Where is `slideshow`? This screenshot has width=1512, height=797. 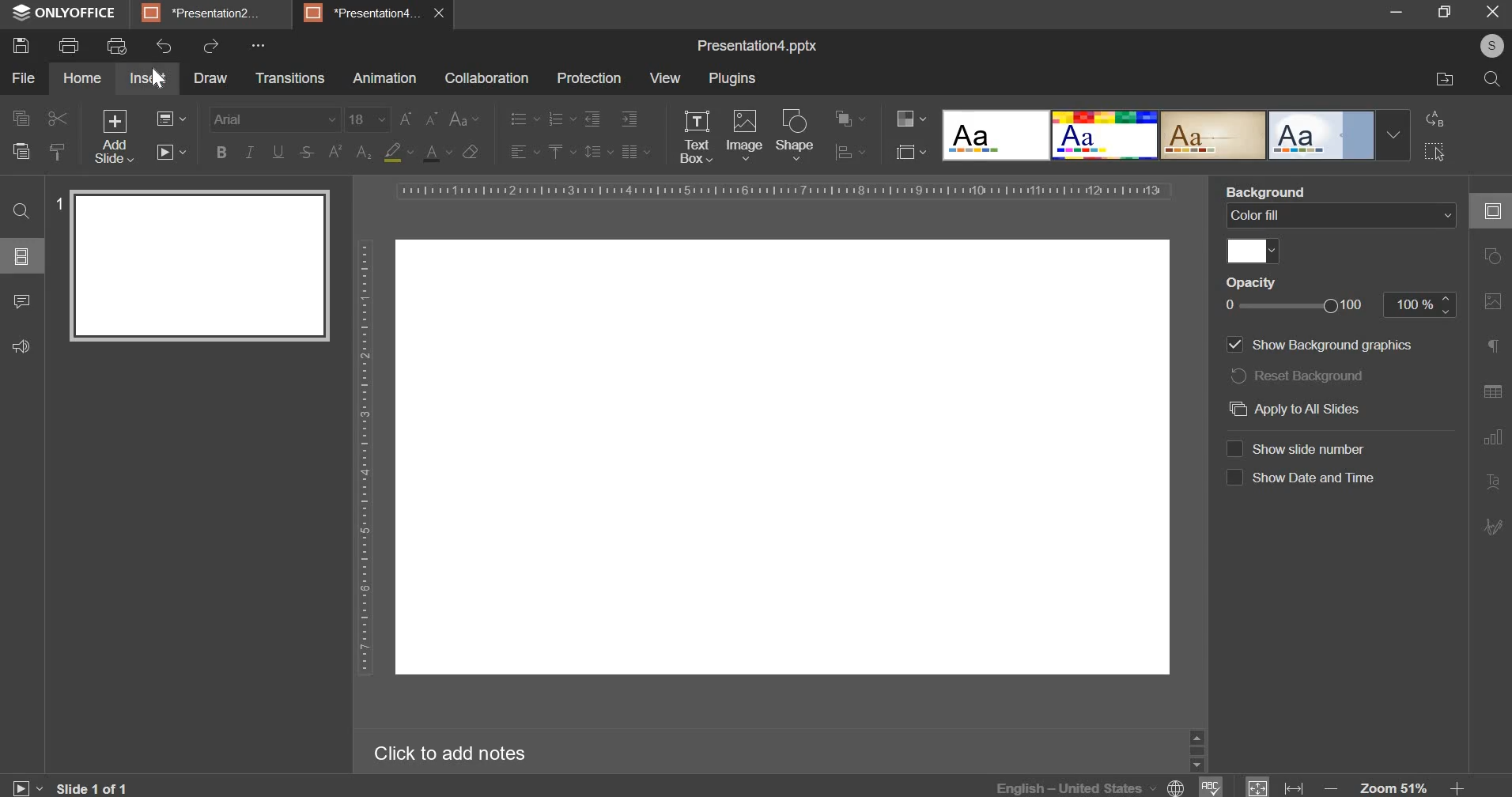
slideshow is located at coordinates (28, 786).